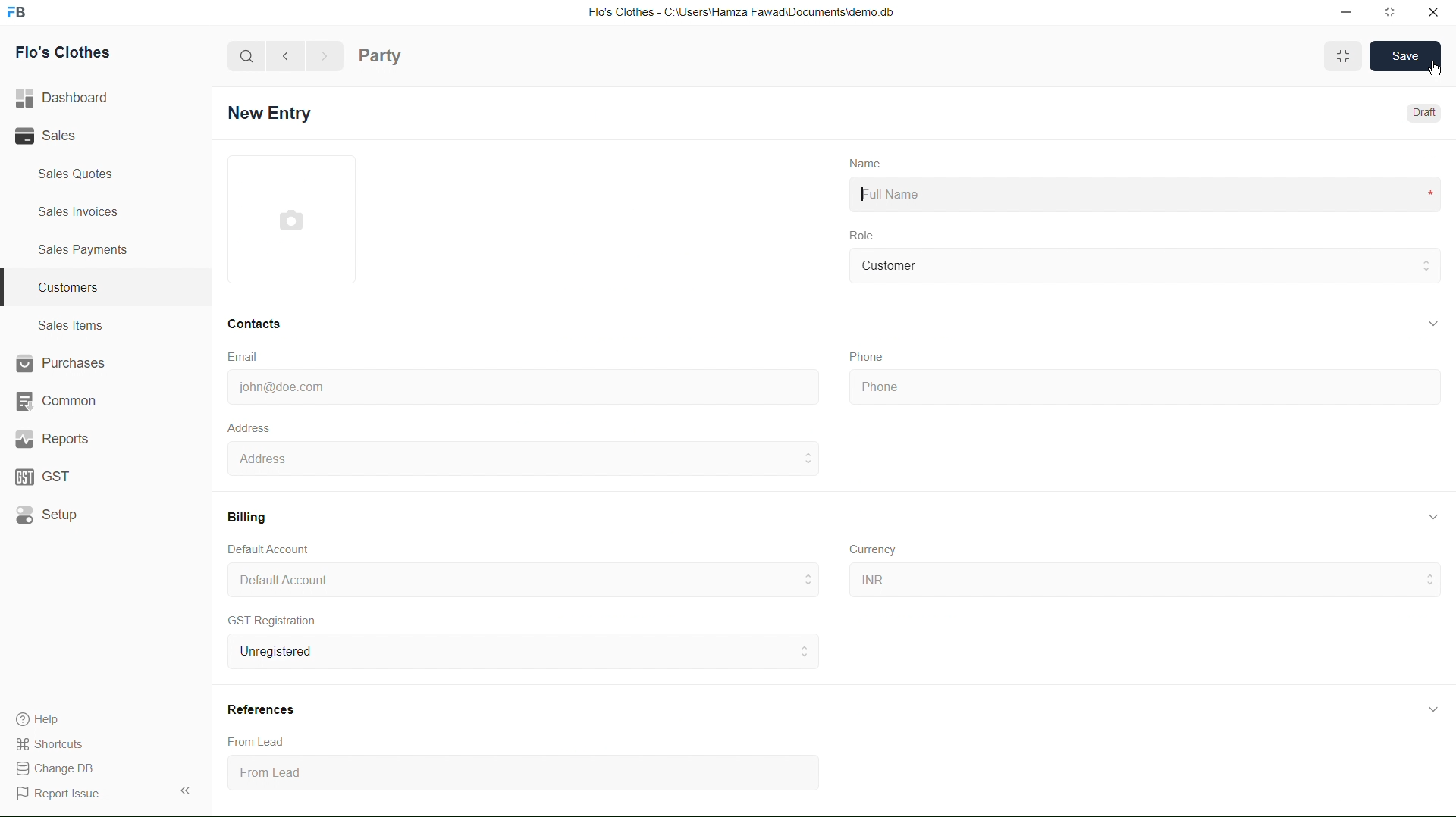 Image resolution: width=1456 pixels, height=817 pixels. I want to click on GST, so click(44, 478).